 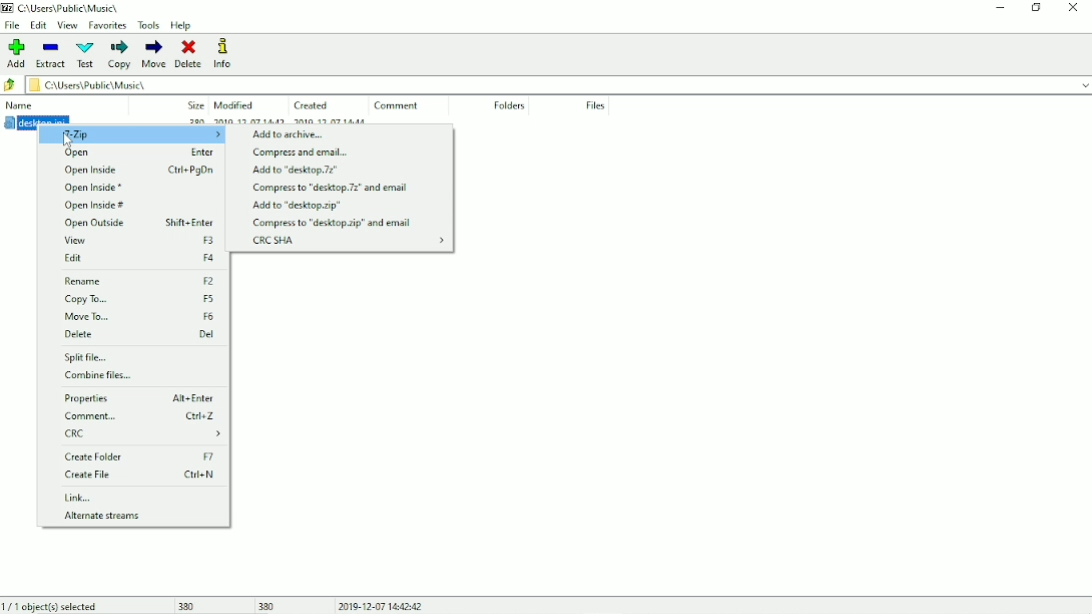 What do you see at coordinates (329, 189) in the screenshot?
I see `Compress to "desktop.7z" and email` at bounding box center [329, 189].